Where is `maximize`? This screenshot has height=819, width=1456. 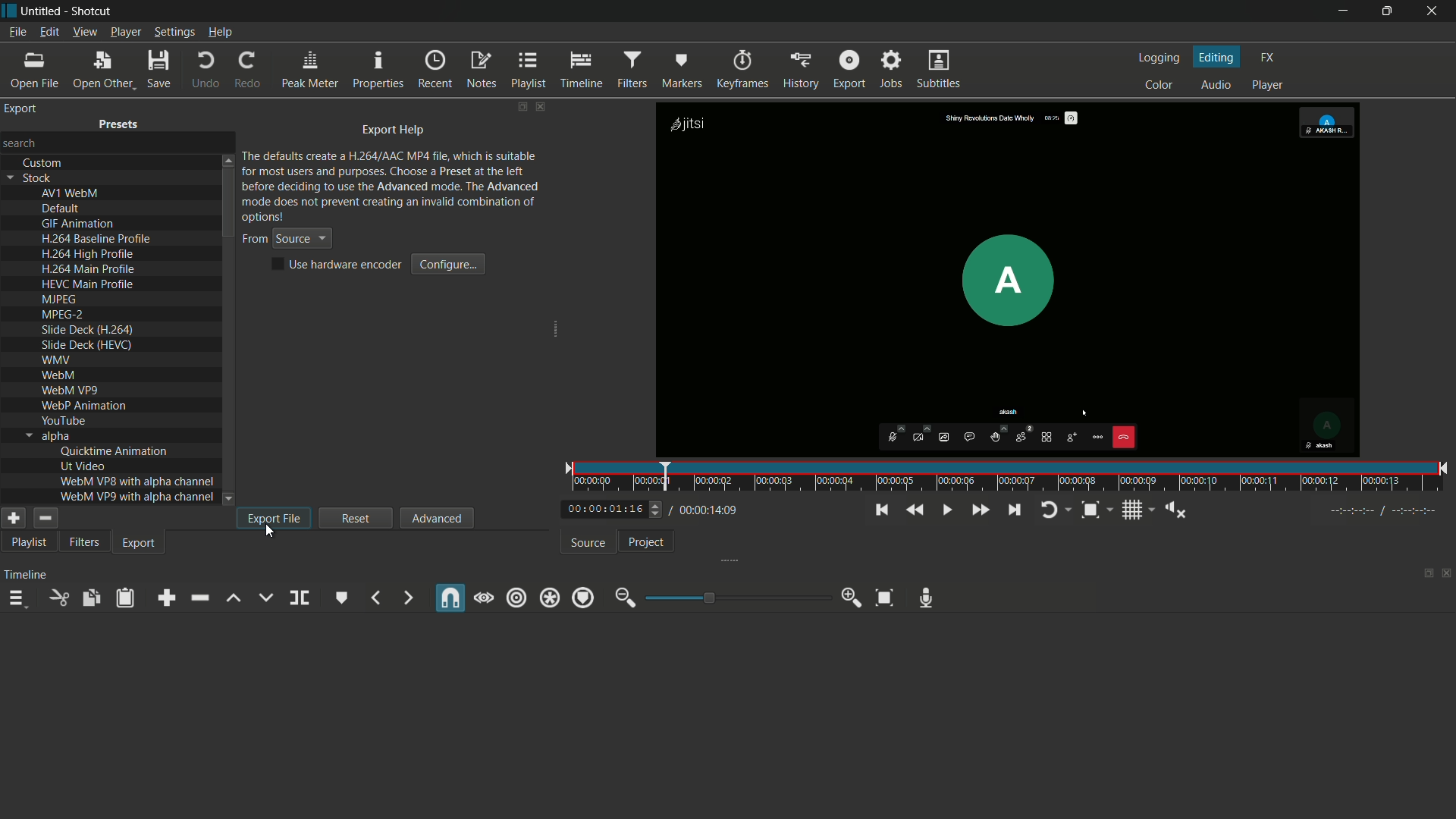
maximize is located at coordinates (1385, 11).